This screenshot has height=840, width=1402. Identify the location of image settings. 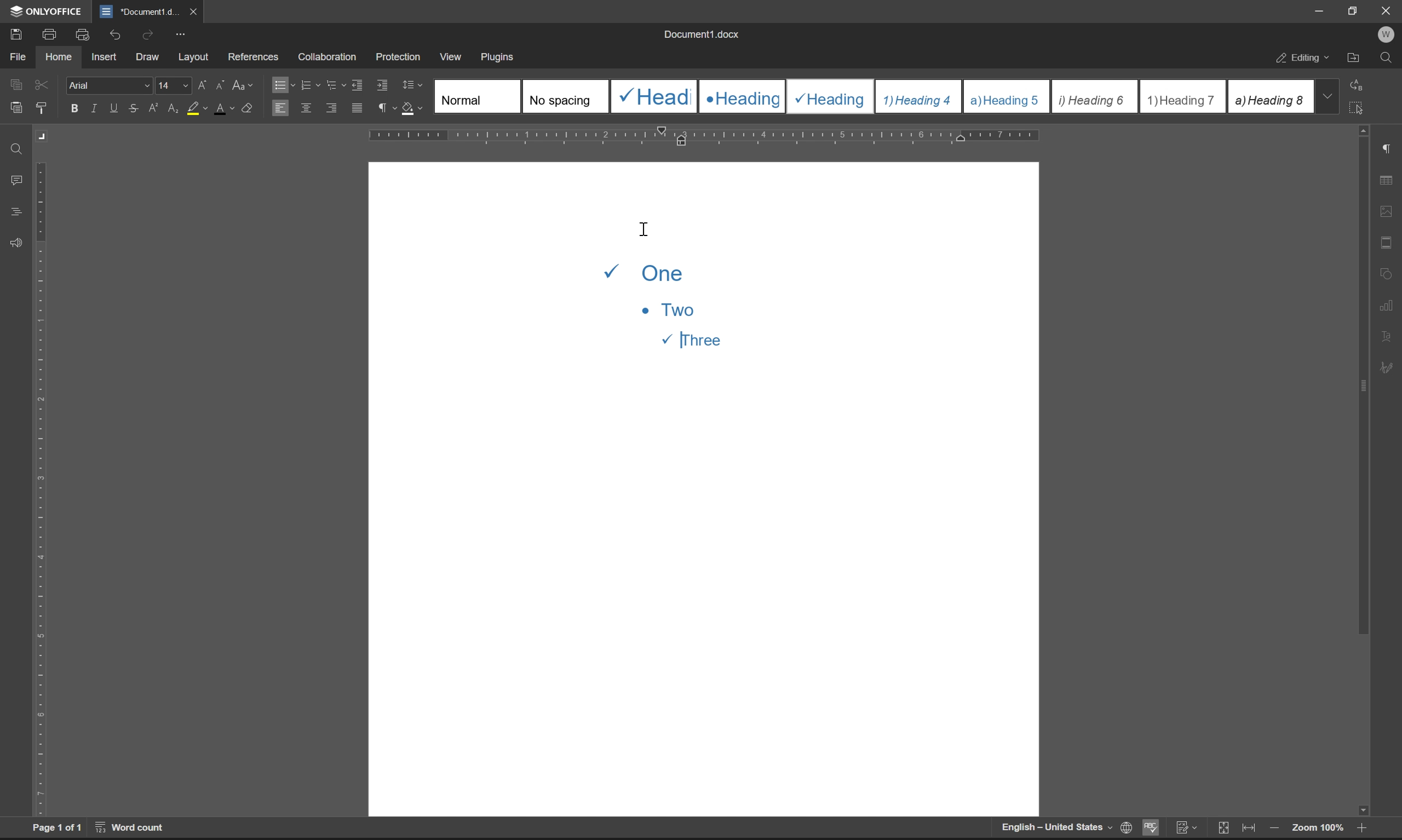
(1386, 208).